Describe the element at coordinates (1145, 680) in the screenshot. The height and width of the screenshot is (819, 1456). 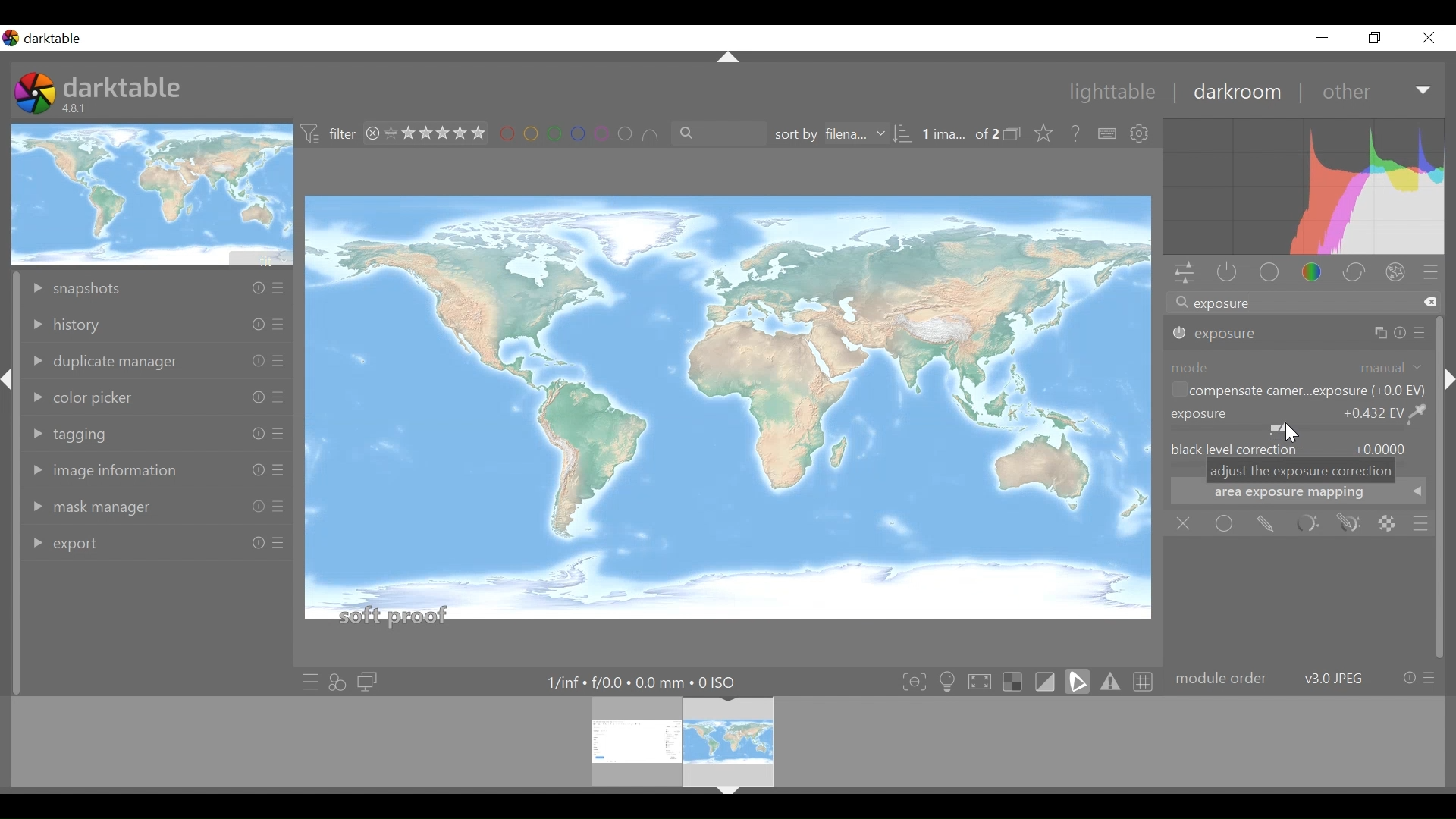
I see `toggle guide lines` at that location.